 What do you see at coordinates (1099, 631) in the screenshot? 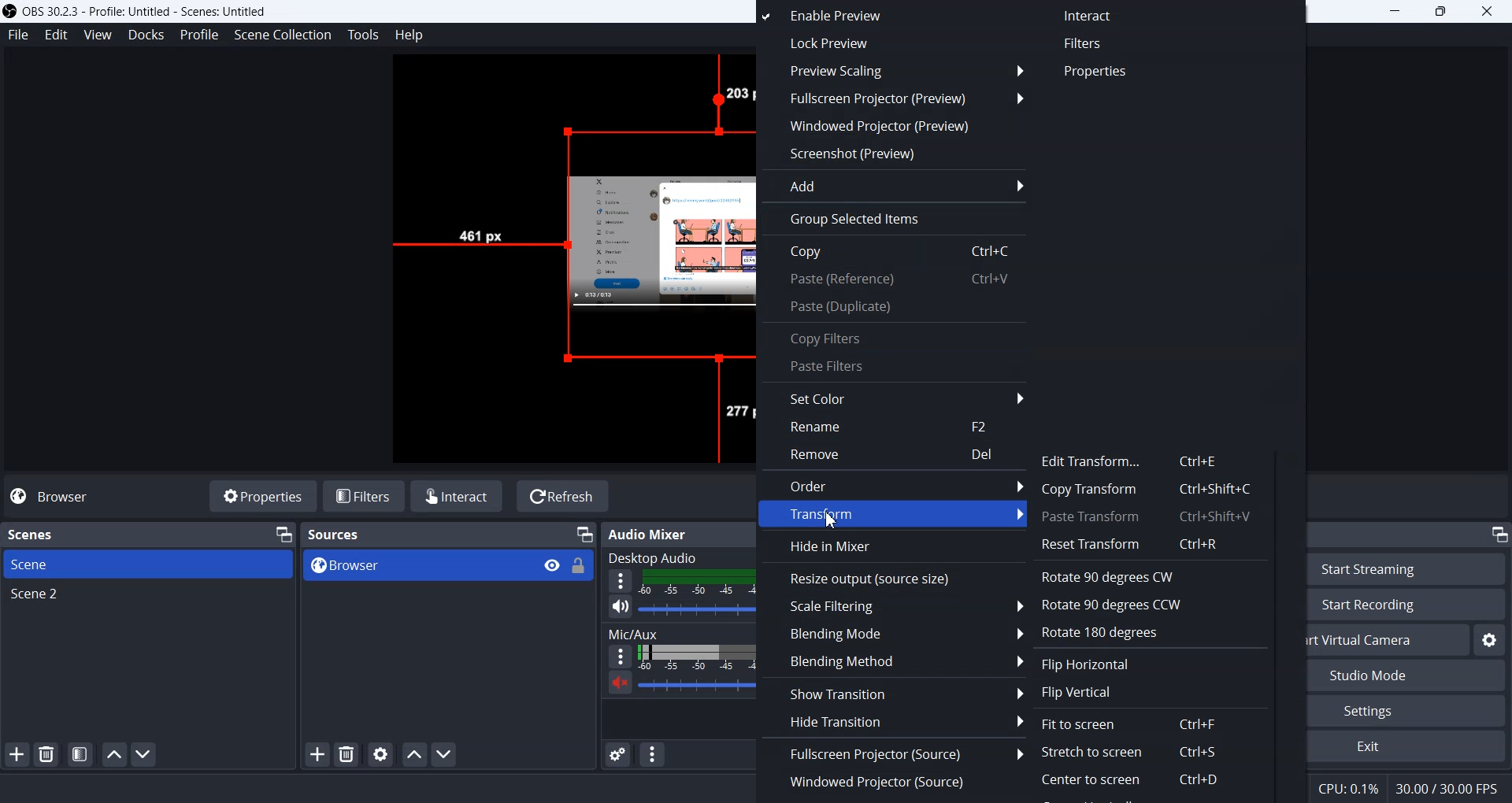
I see `Rotate 180 degree` at bounding box center [1099, 631].